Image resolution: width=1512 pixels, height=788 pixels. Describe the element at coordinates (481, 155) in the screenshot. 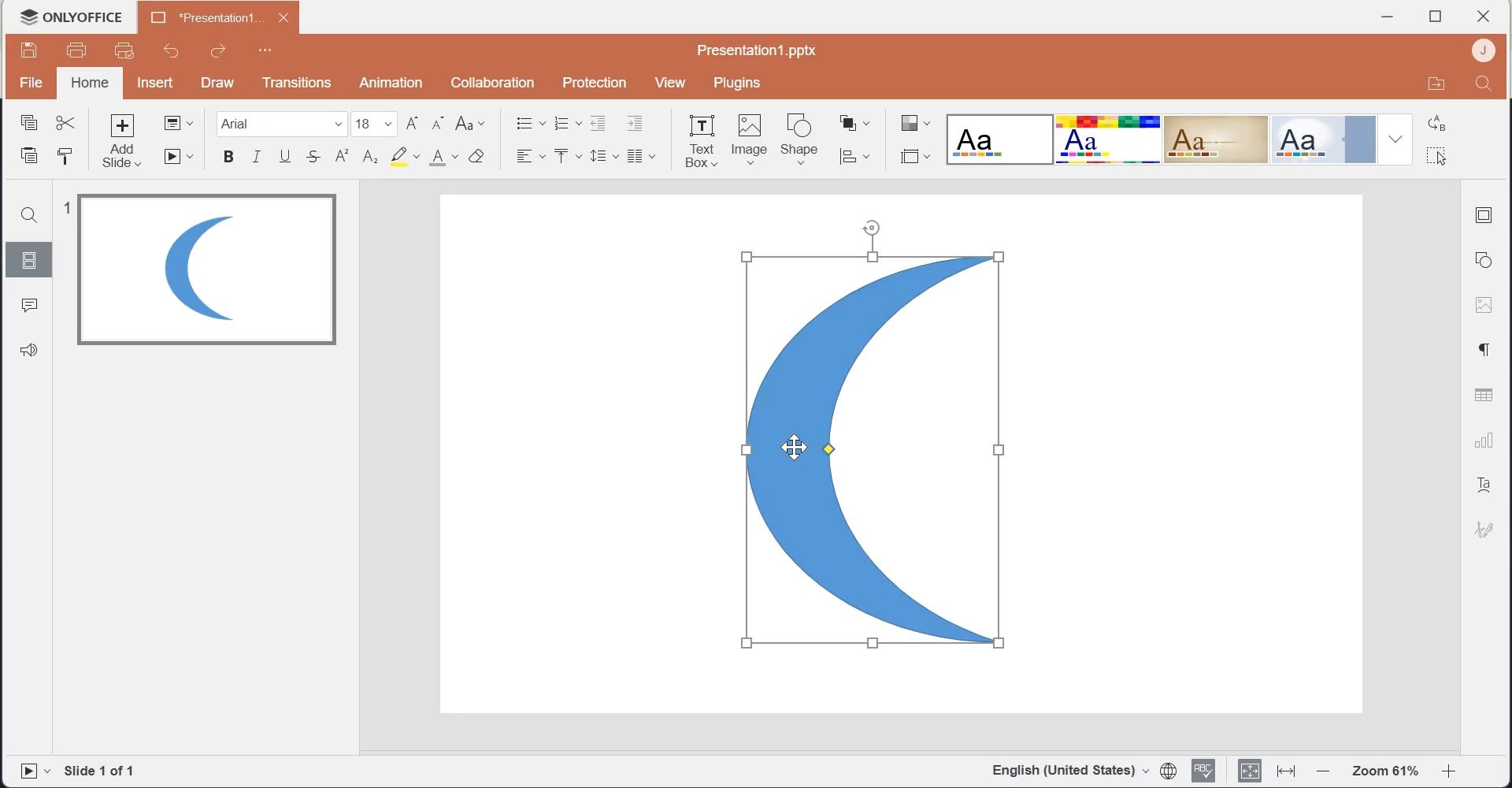

I see `Clear style` at that location.